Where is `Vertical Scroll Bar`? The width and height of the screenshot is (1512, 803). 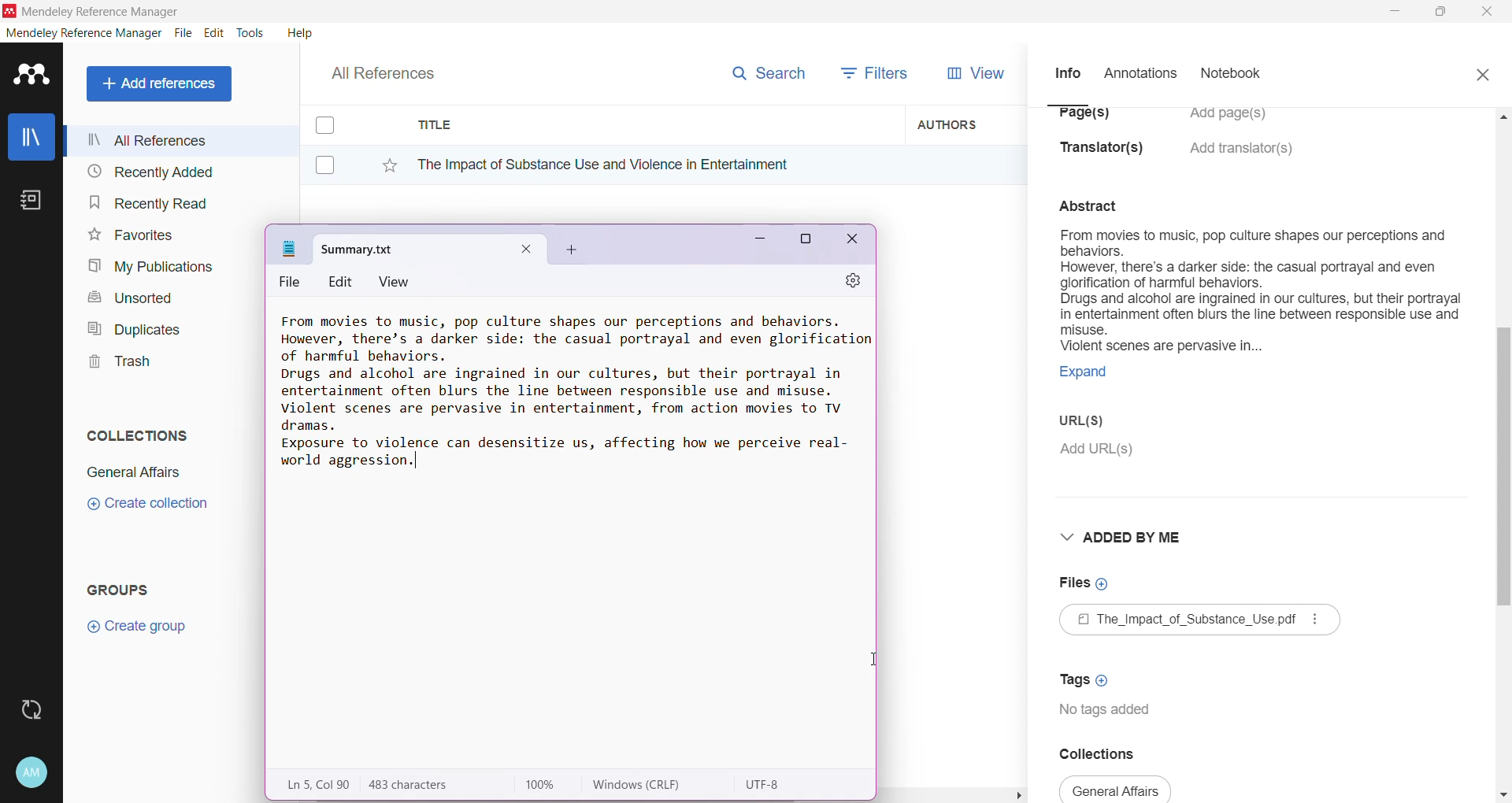 Vertical Scroll Bar is located at coordinates (1503, 453).